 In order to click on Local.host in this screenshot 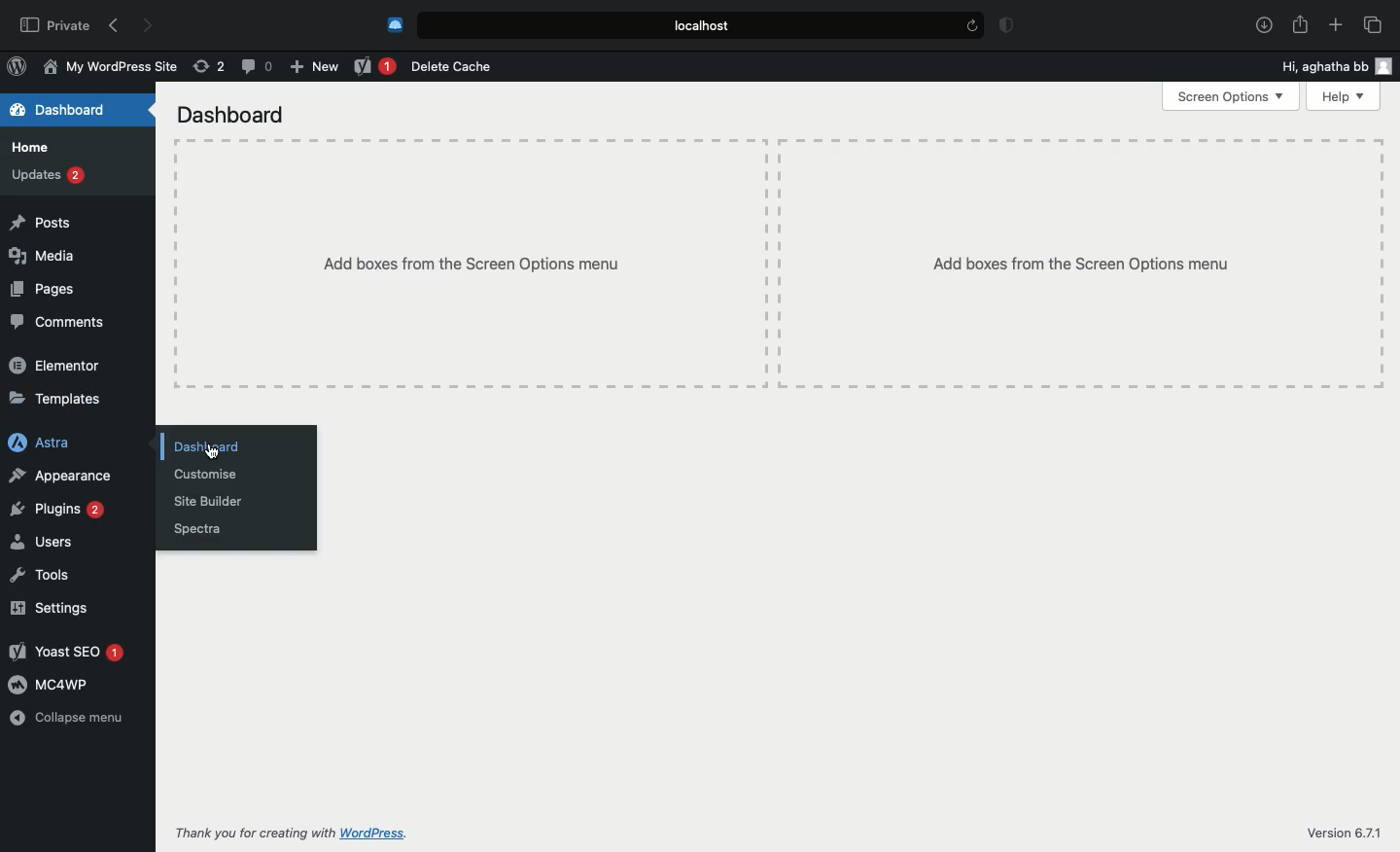, I will do `click(702, 24)`.